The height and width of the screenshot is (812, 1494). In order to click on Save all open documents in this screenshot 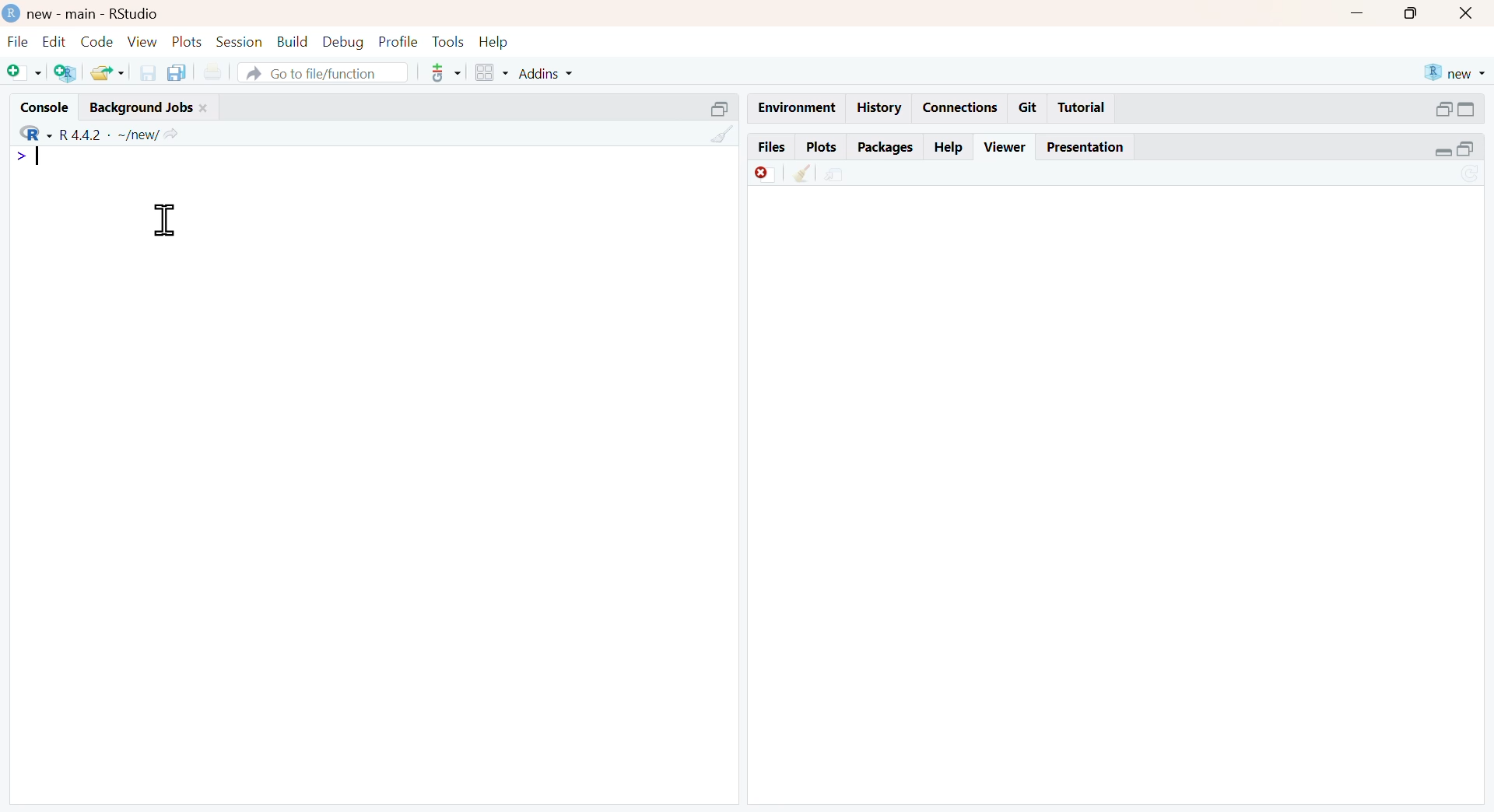, I will do `click(181, 71)`.